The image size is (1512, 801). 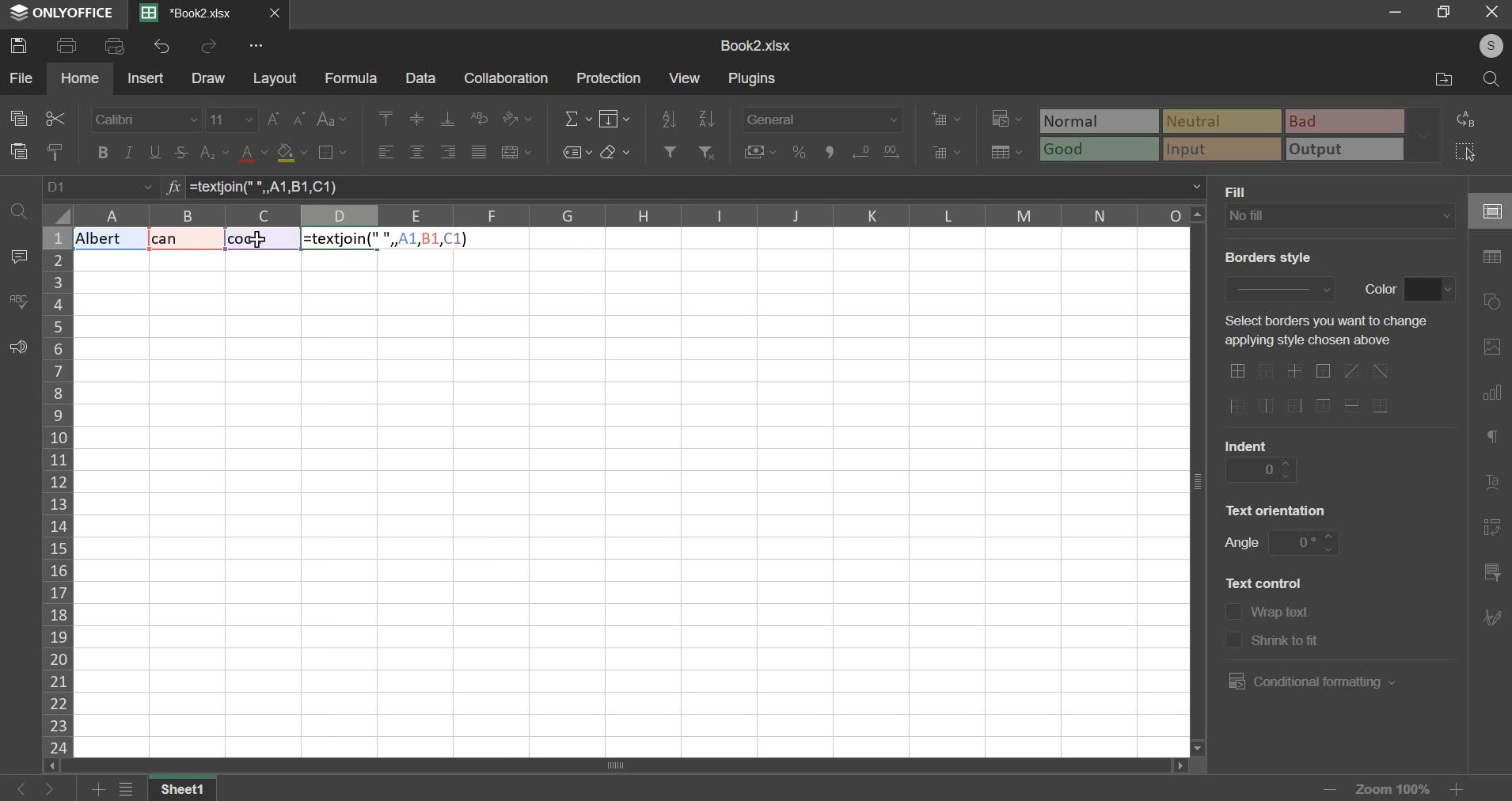 I want to click on remove filter, so click(x=709, y=151).